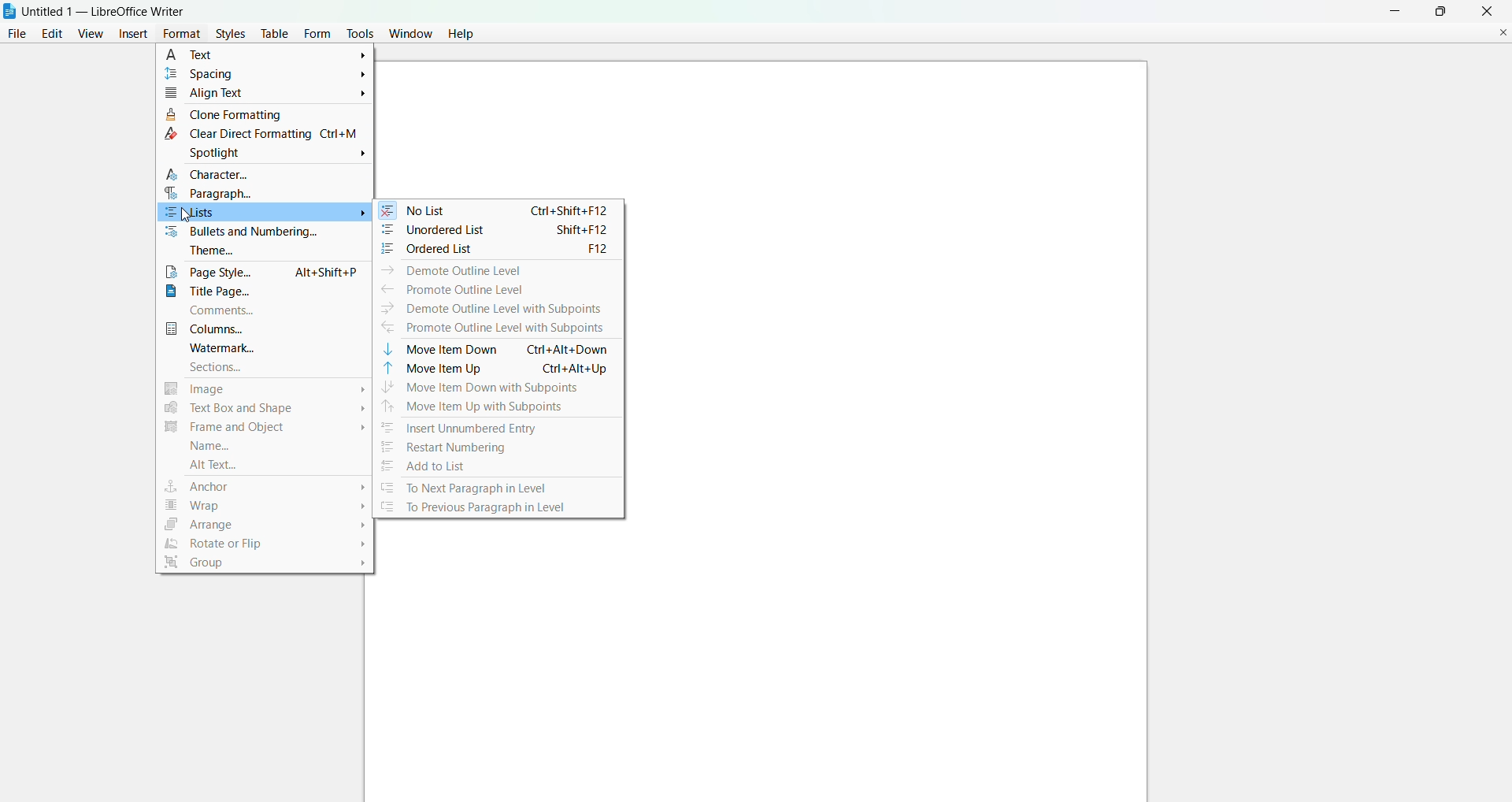  What do you see at coordinates (217, 311) in the screenshot?
I see `comments` at bounding box center [217, 311].